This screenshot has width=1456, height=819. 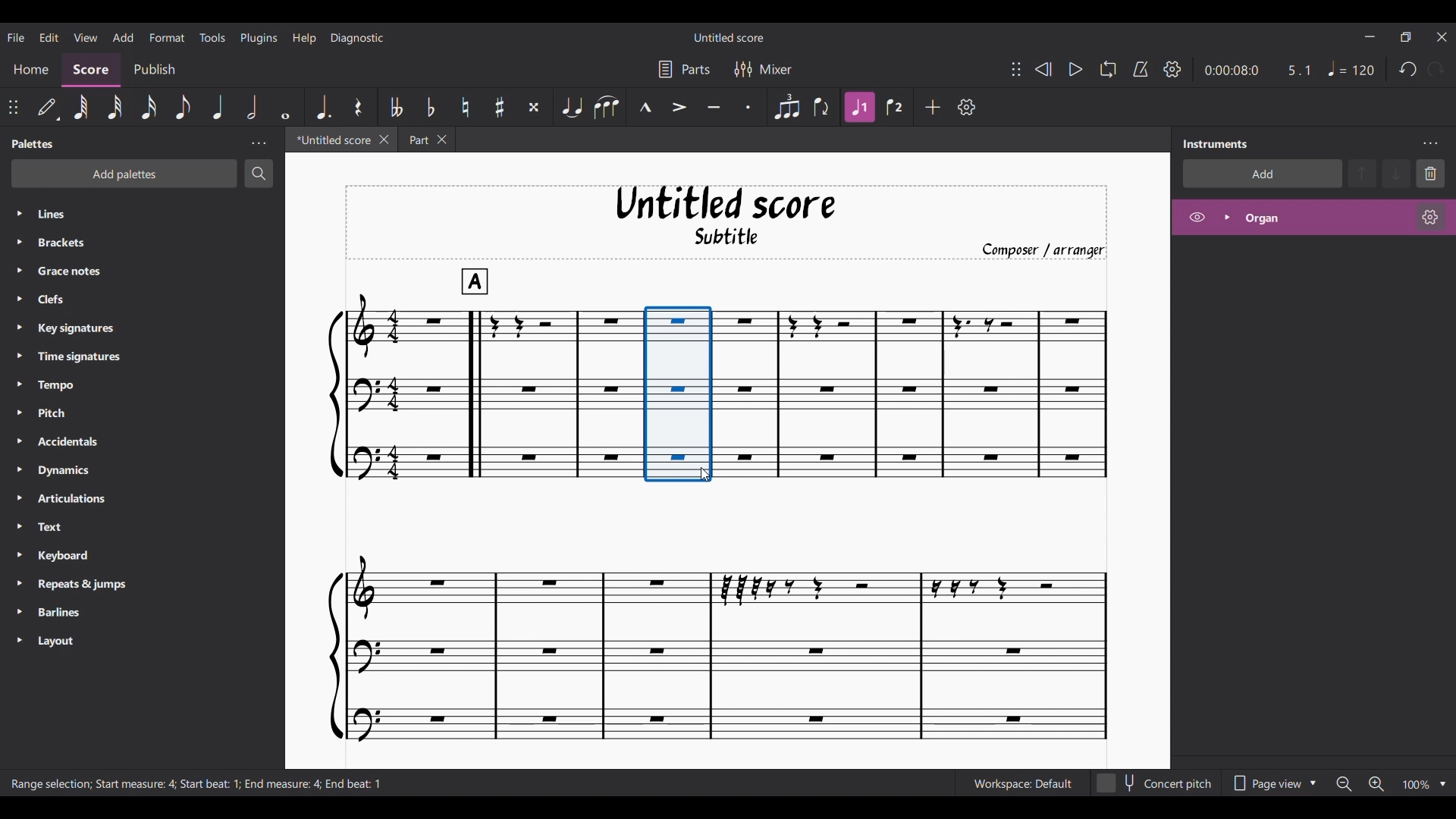 I want to click on Zoom in, so click(x=1376, y=784).